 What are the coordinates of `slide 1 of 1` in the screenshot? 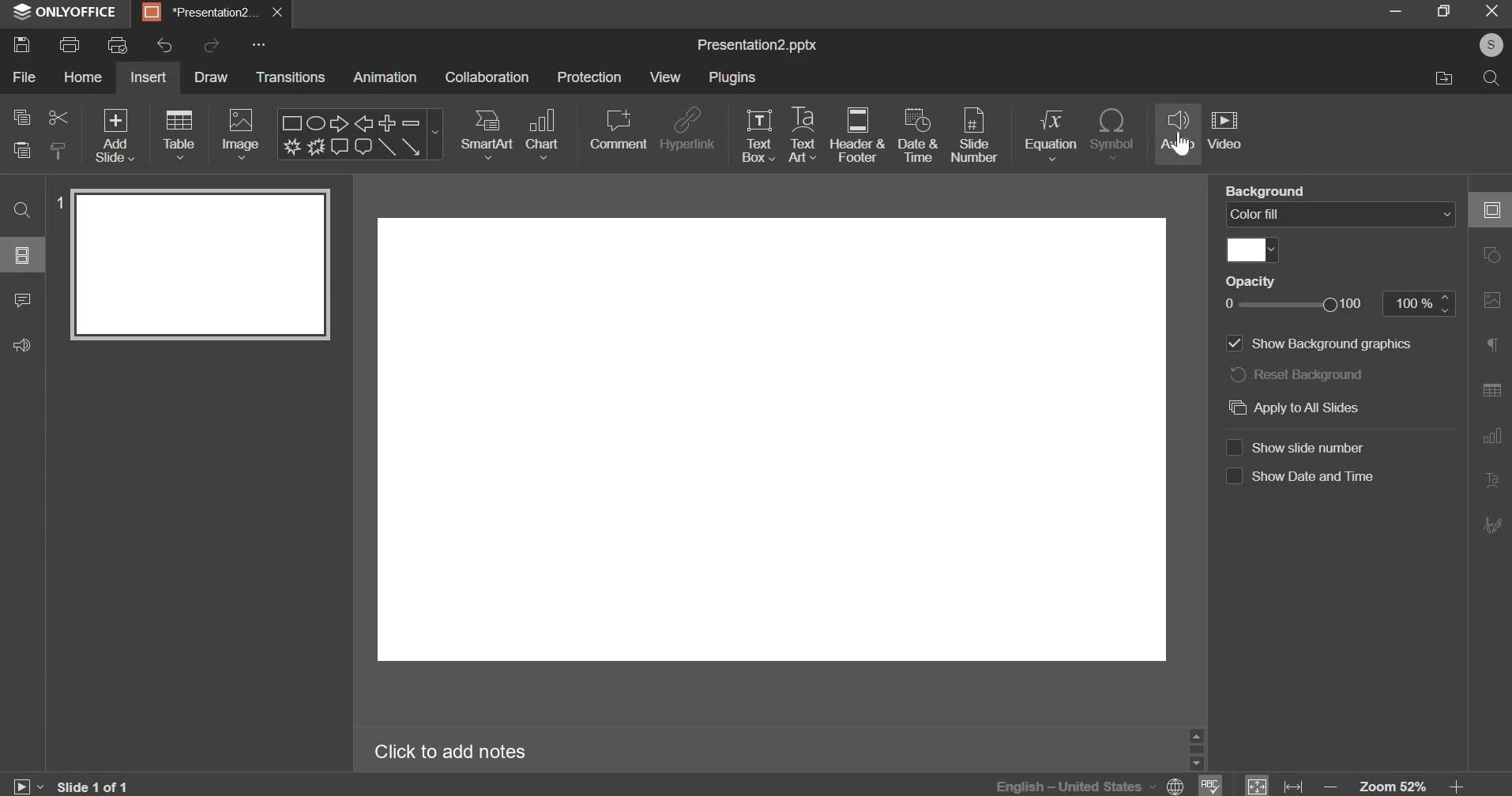 It's located at (94, 785).